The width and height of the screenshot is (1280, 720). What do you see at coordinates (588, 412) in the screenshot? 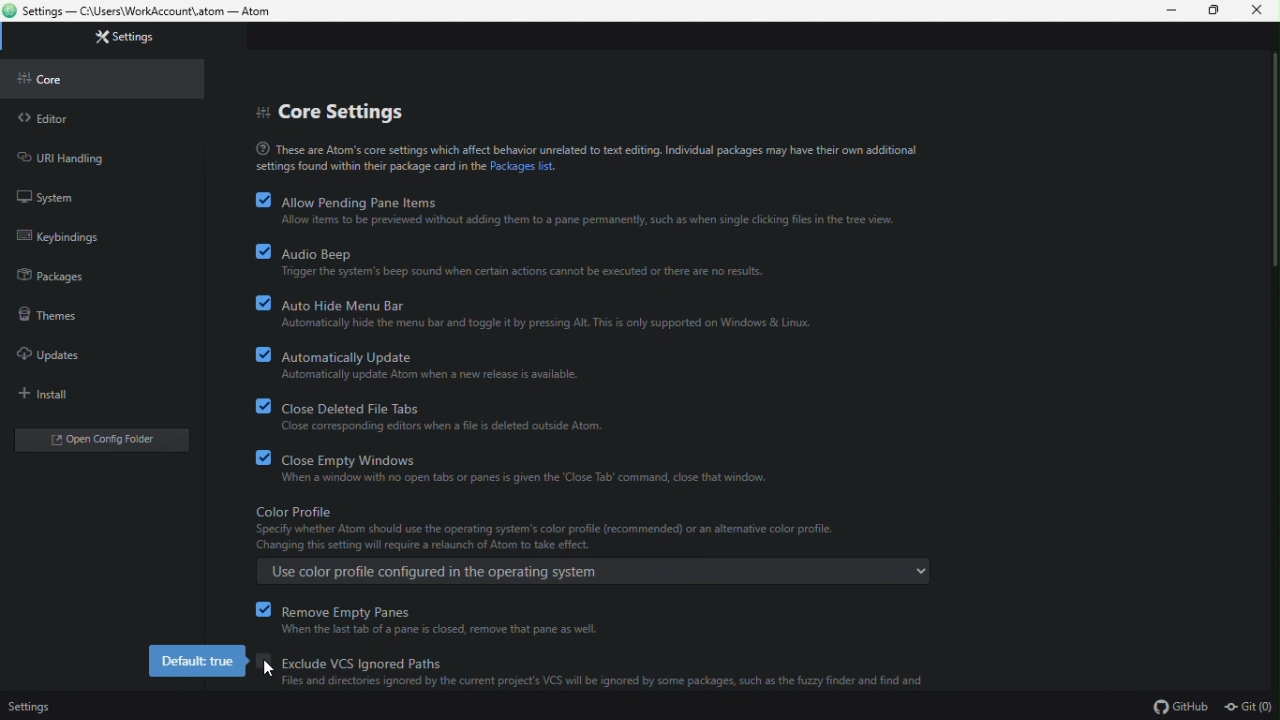
I see `Close deleted file tabs` at bounding box center [588, 412].